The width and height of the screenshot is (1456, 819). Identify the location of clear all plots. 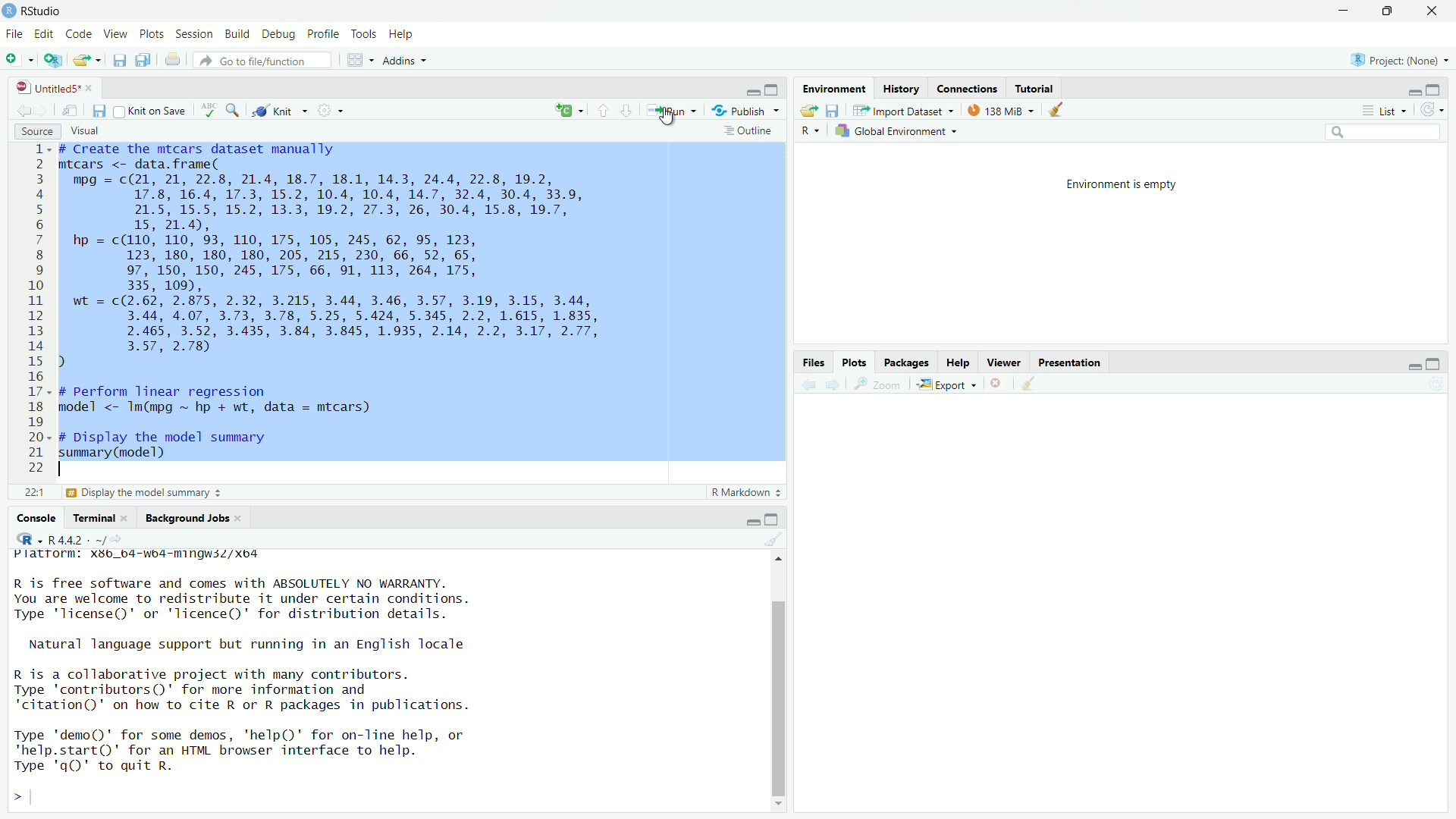
(1030, 384).